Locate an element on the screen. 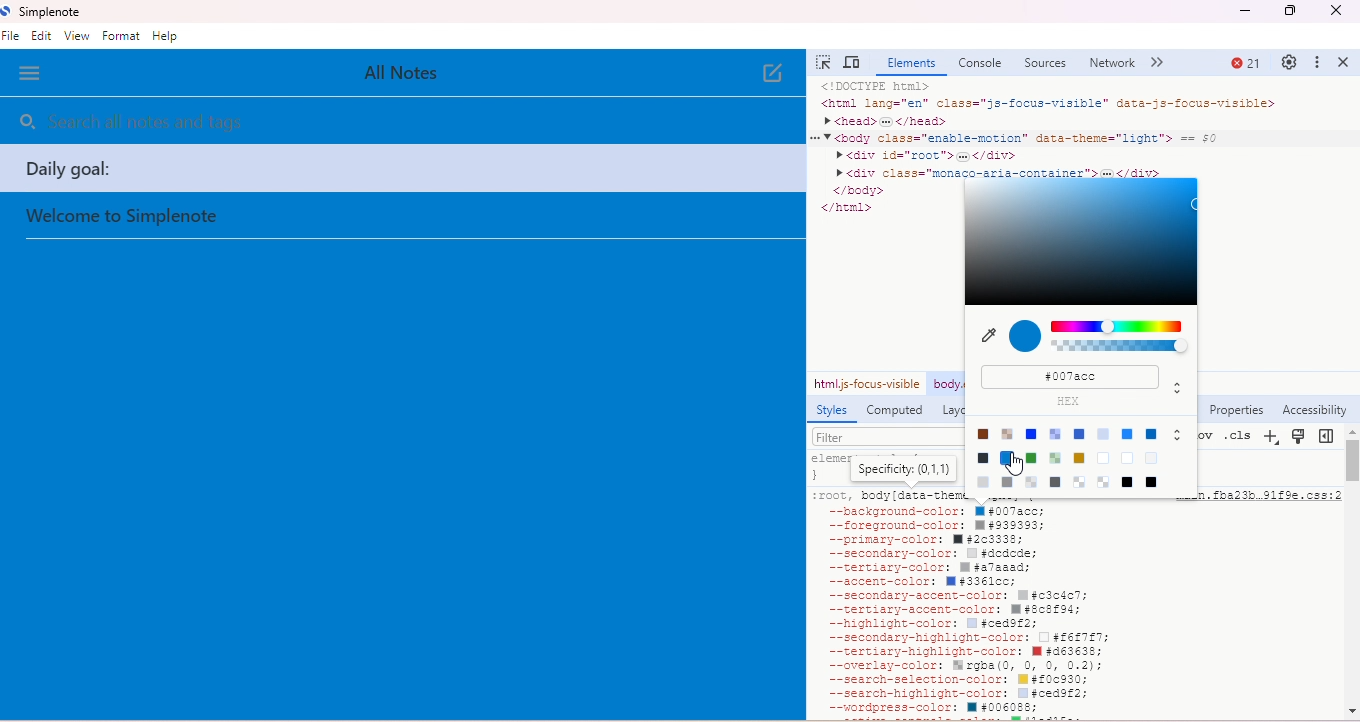 The height and width of the screenshot is (722, 1360). color code is located at coordinates (1073, 376).